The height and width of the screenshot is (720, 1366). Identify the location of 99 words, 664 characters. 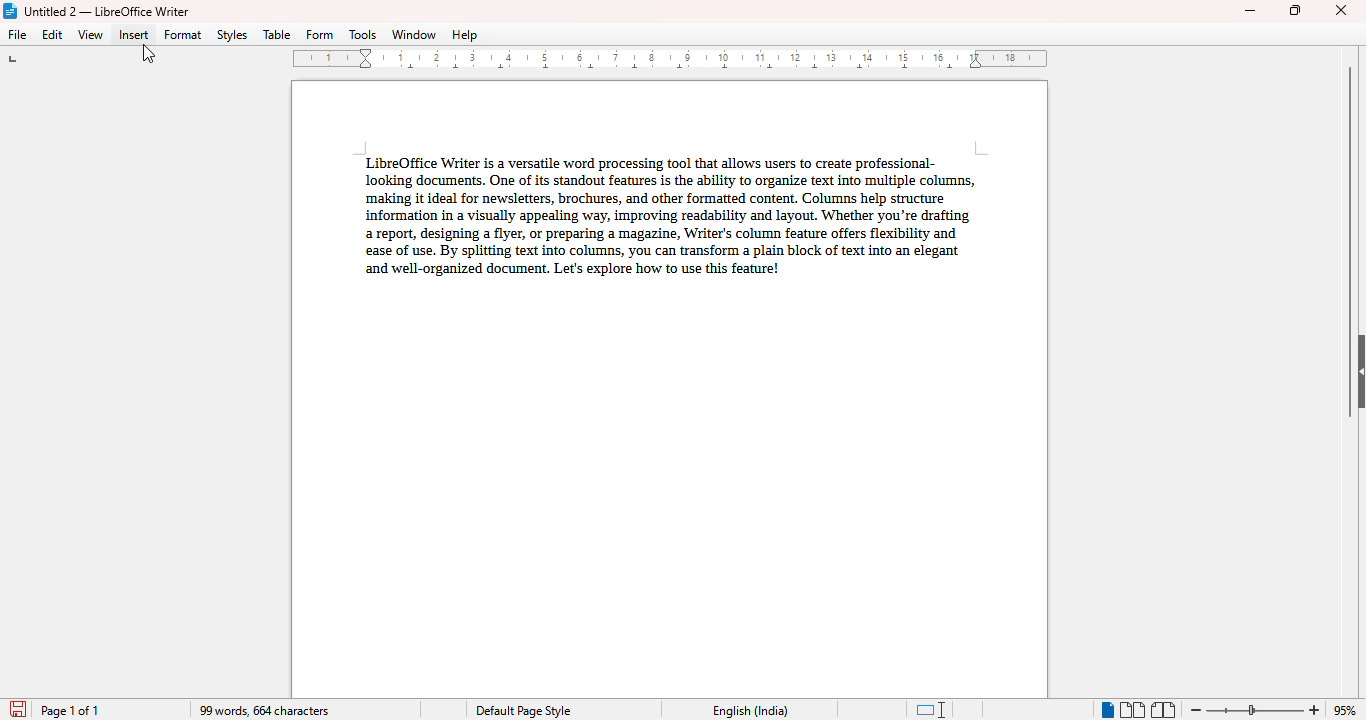
(263, 711).